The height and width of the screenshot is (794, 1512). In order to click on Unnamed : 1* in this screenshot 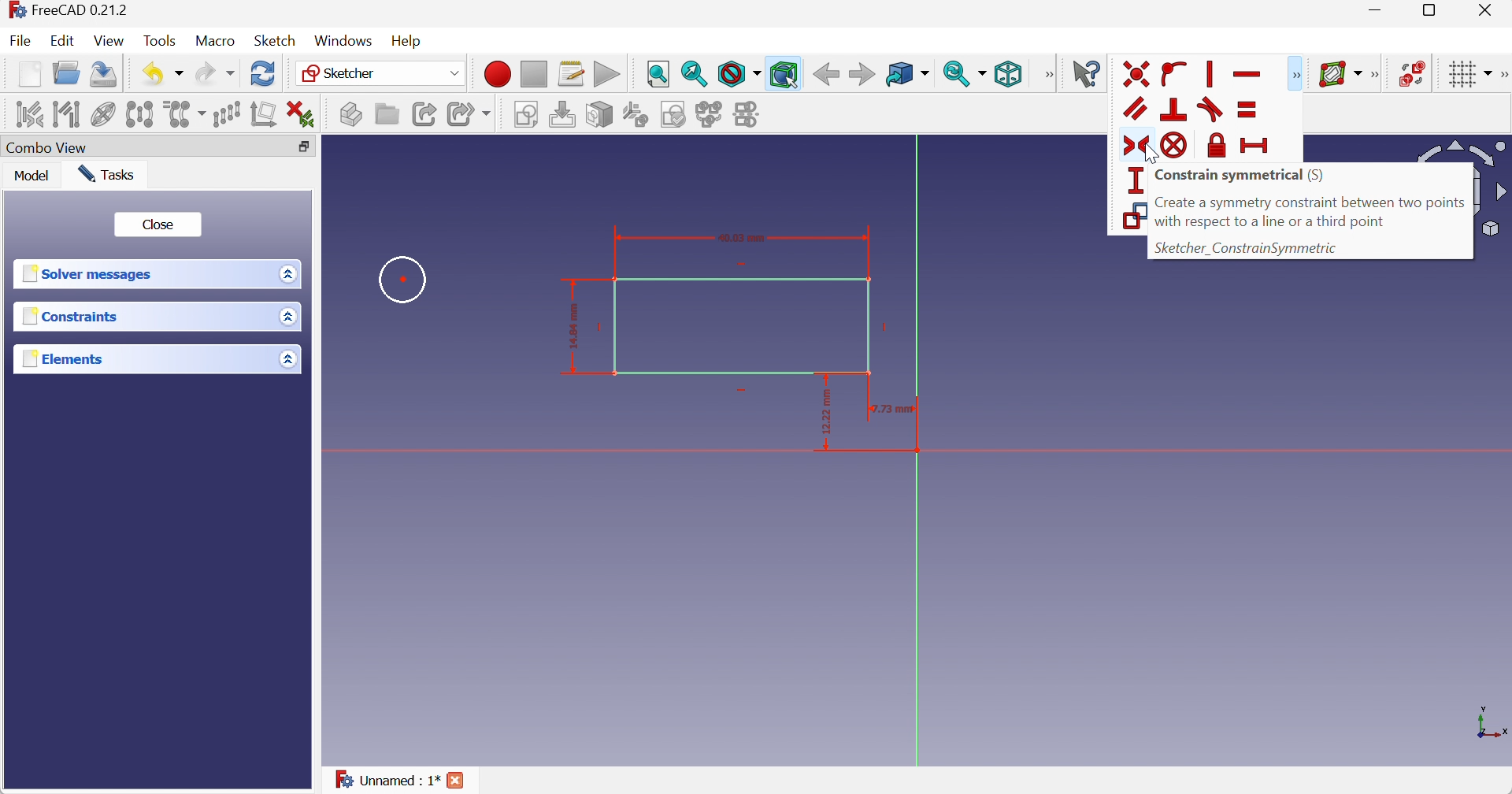, I will do `click(387, 777)`.